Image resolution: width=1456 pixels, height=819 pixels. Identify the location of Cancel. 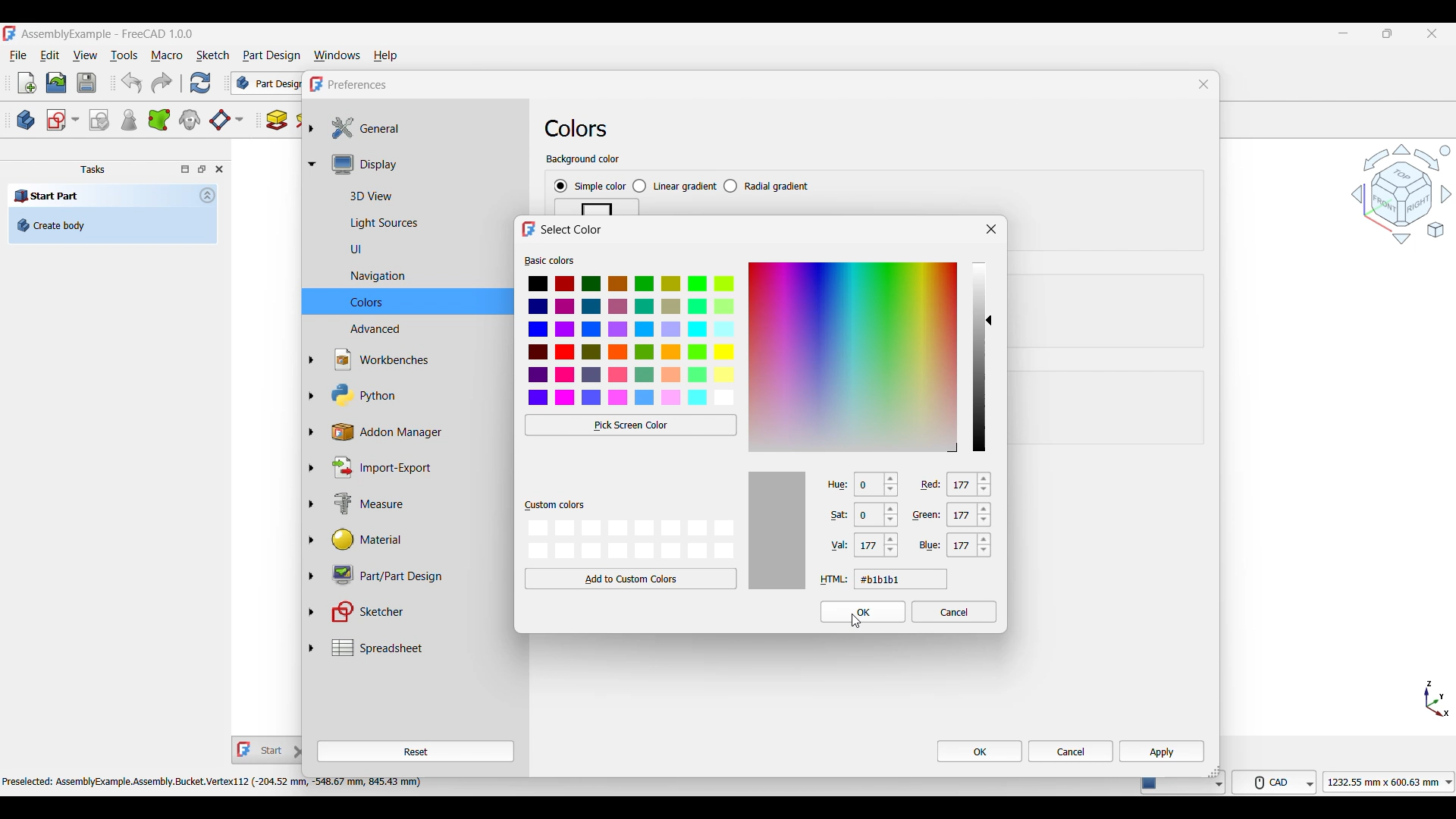
(955, 611).